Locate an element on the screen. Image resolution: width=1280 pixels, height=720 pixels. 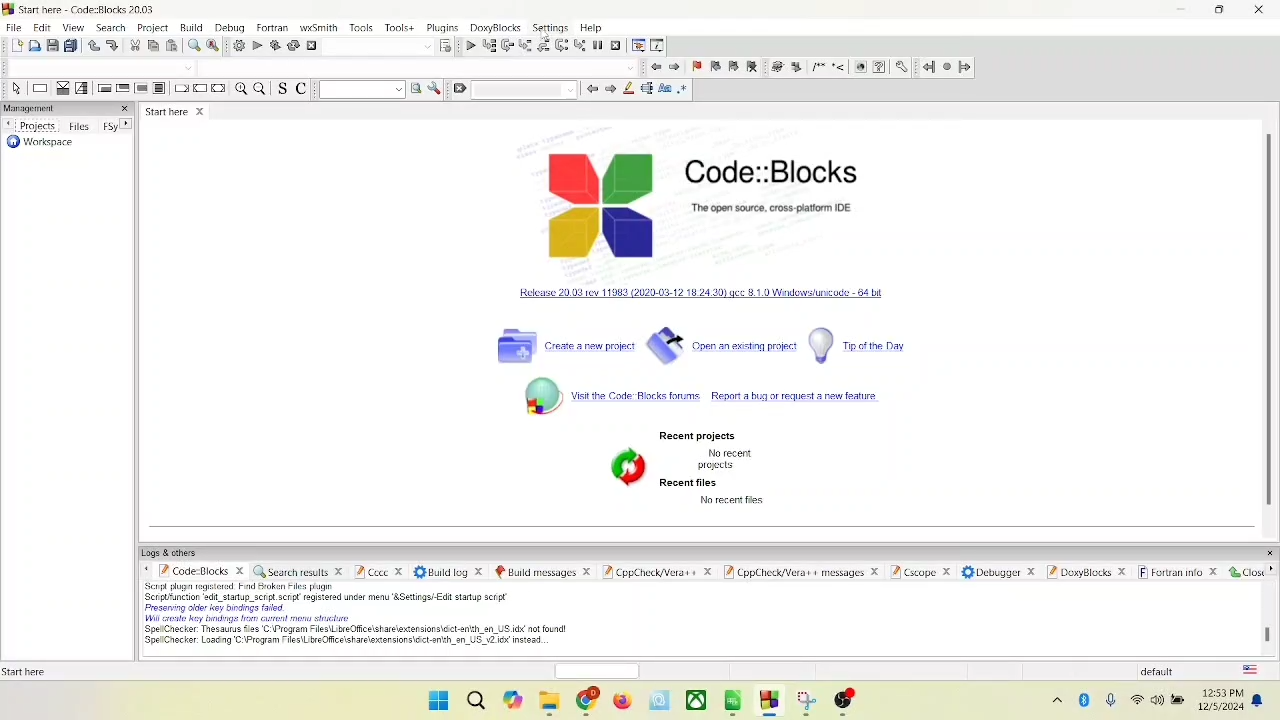
run to cursor is located at coordinates (486, 46).